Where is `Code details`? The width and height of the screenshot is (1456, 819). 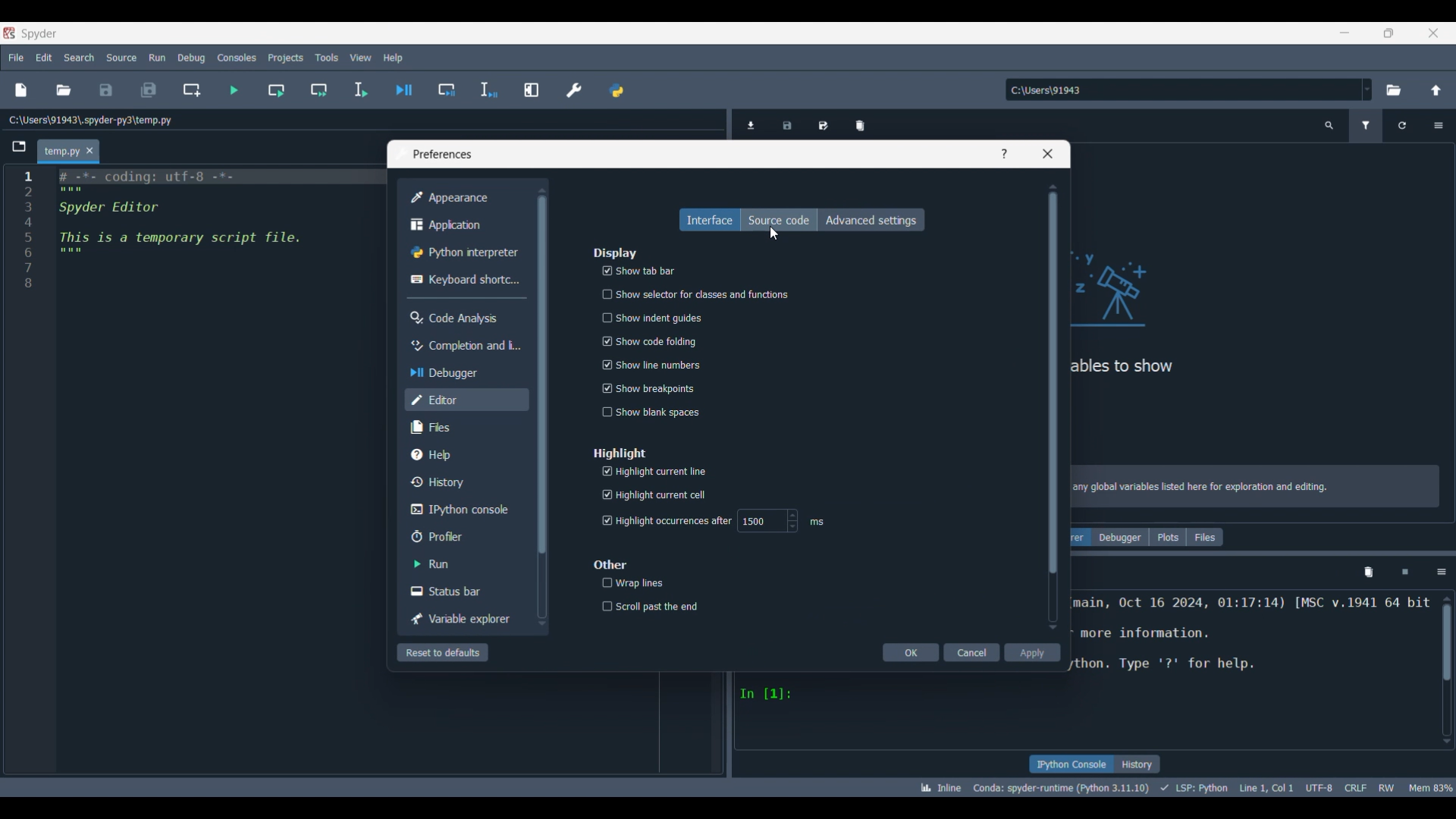
Code details is located at coordinates (1253, 648).